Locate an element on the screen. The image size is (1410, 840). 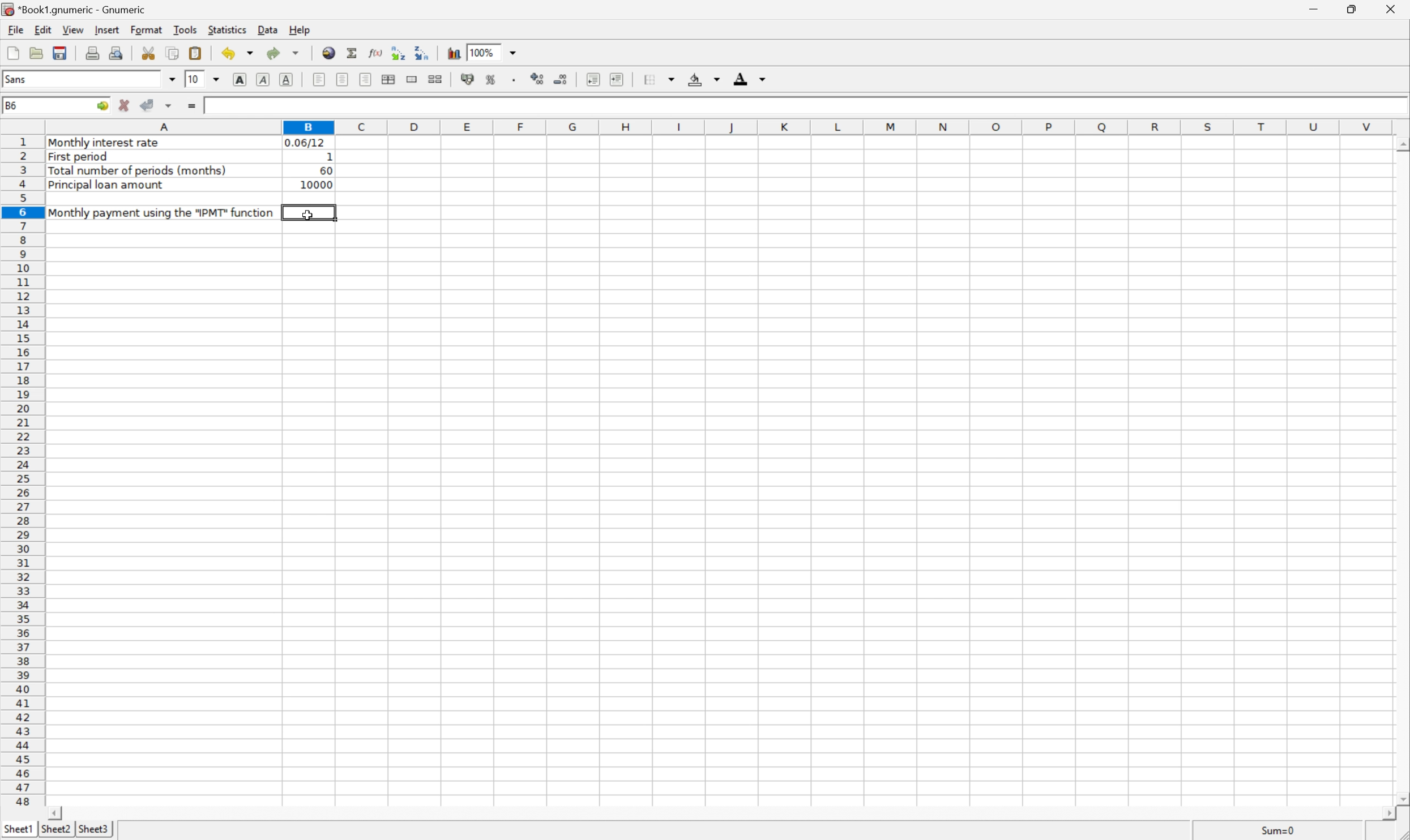
Cancel changes is located at coordinates (123, 104).